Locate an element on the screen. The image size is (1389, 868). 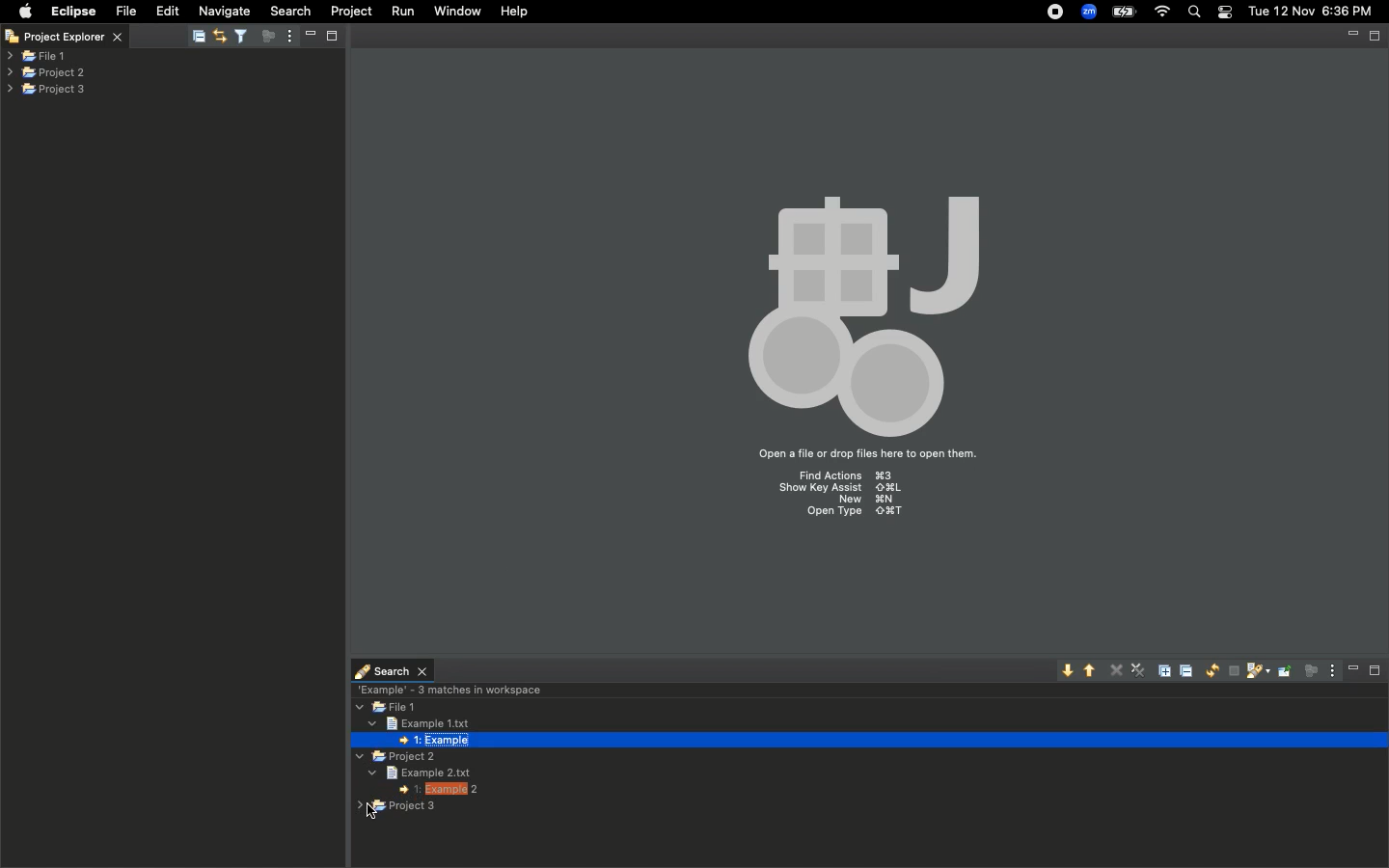
Project 3 is located at coordinates (400, 806).